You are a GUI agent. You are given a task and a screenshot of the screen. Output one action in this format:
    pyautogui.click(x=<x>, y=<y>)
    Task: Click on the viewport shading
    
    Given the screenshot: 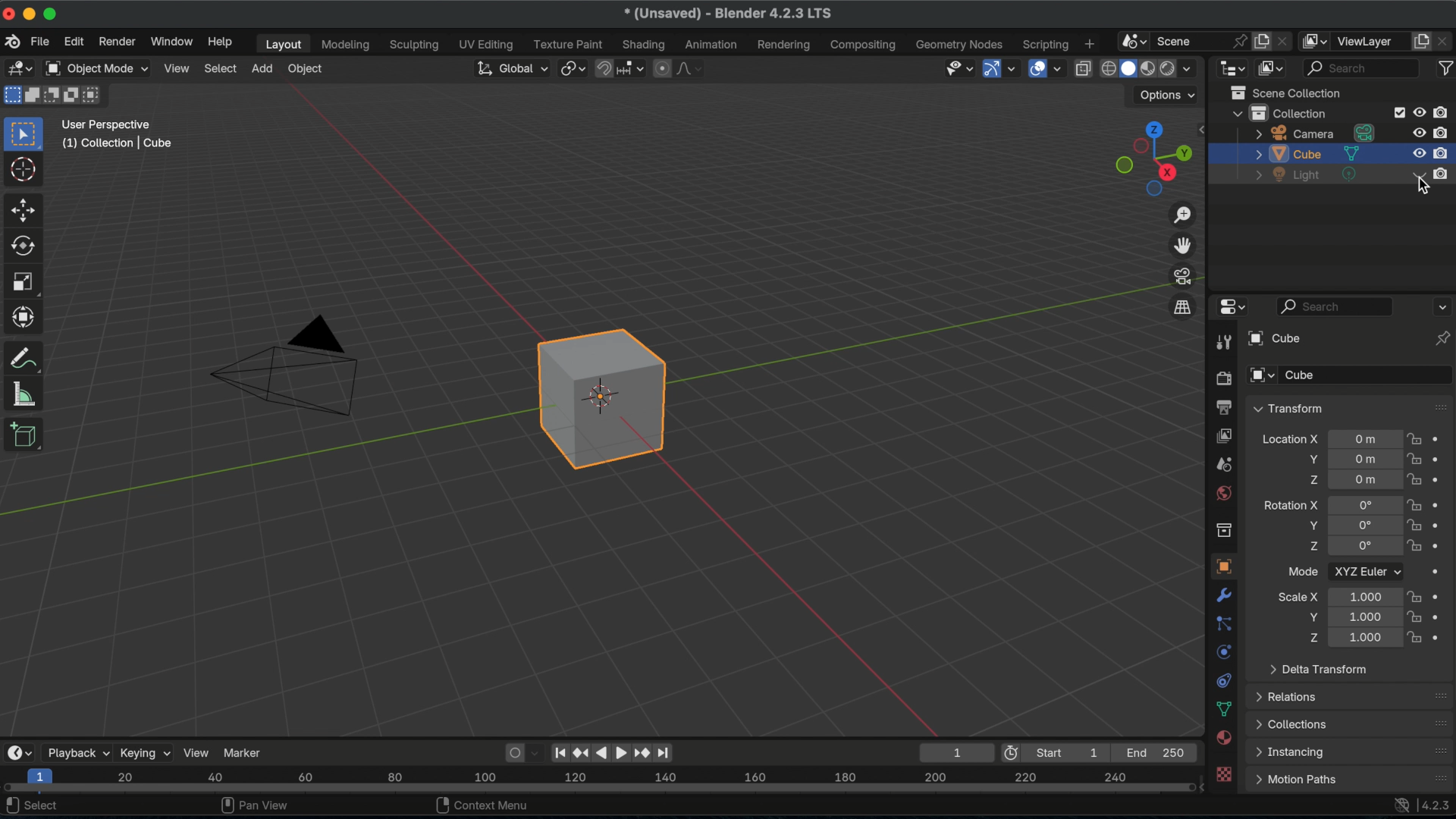 What is the action you would take?
    pyautogui.click(x=1147, y=67)
    